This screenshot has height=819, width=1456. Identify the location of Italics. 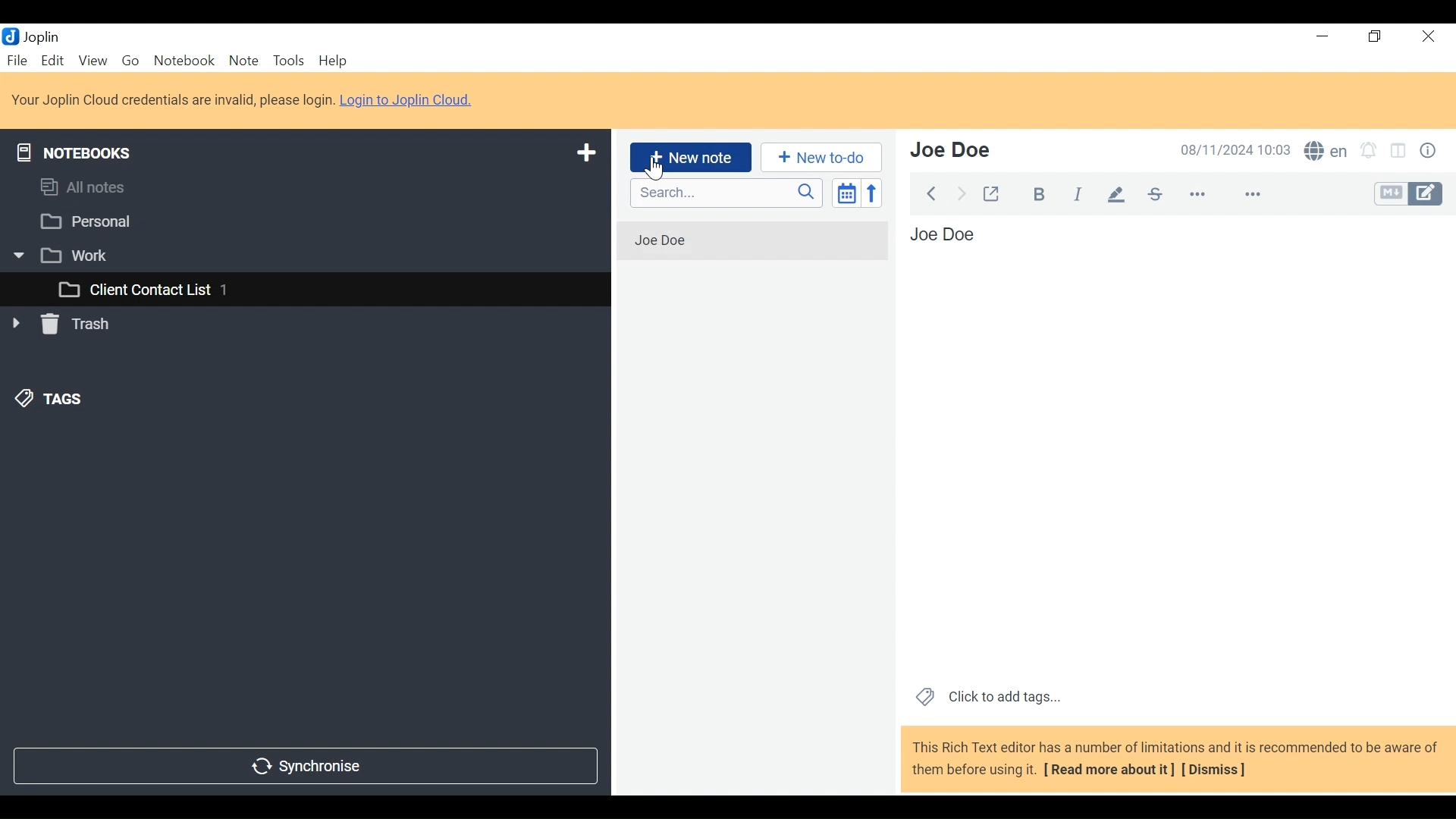
(1078, 194).